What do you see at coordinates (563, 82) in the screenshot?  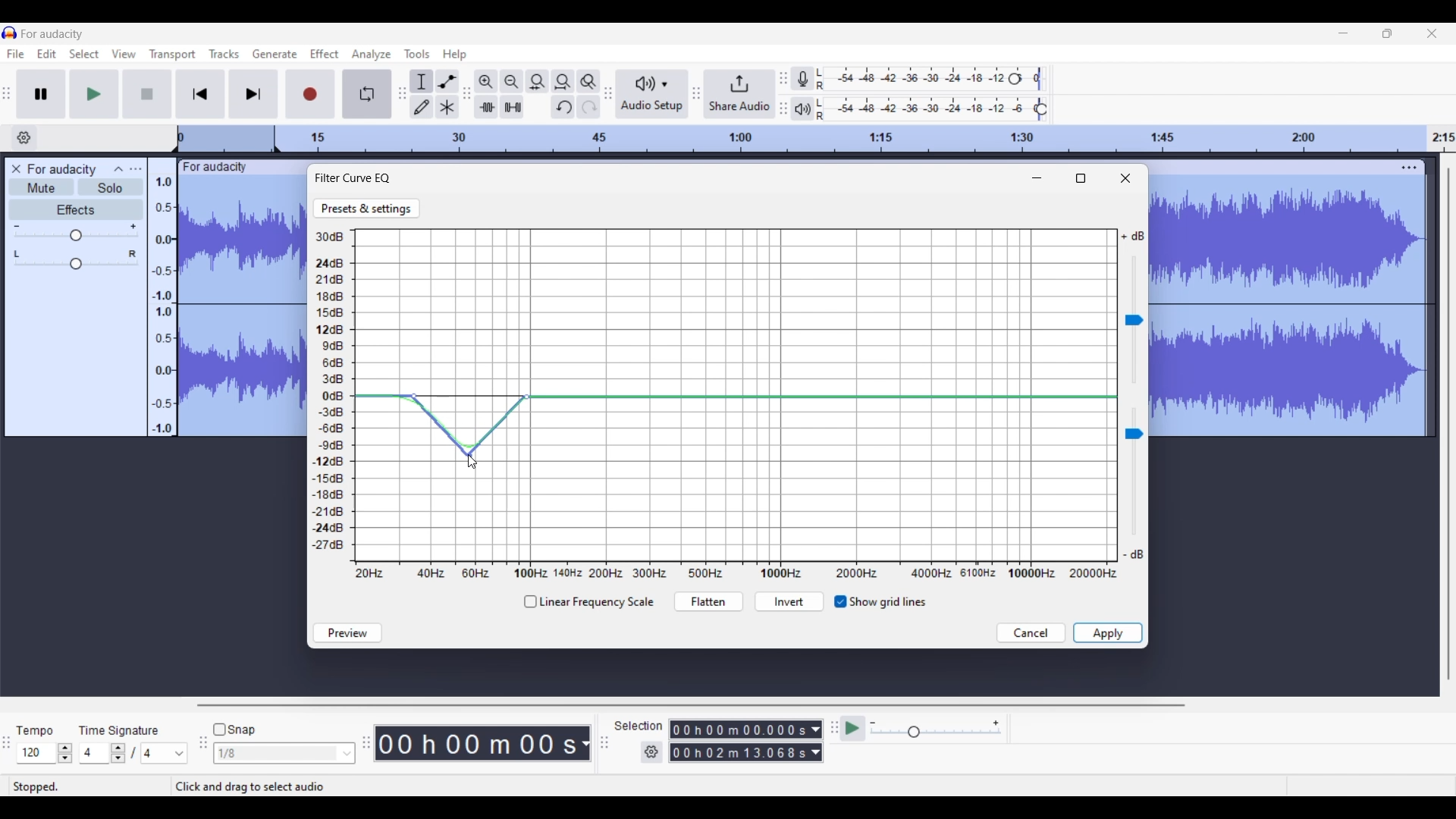 I see `Fit project to width` at bounding box center [563, 82].